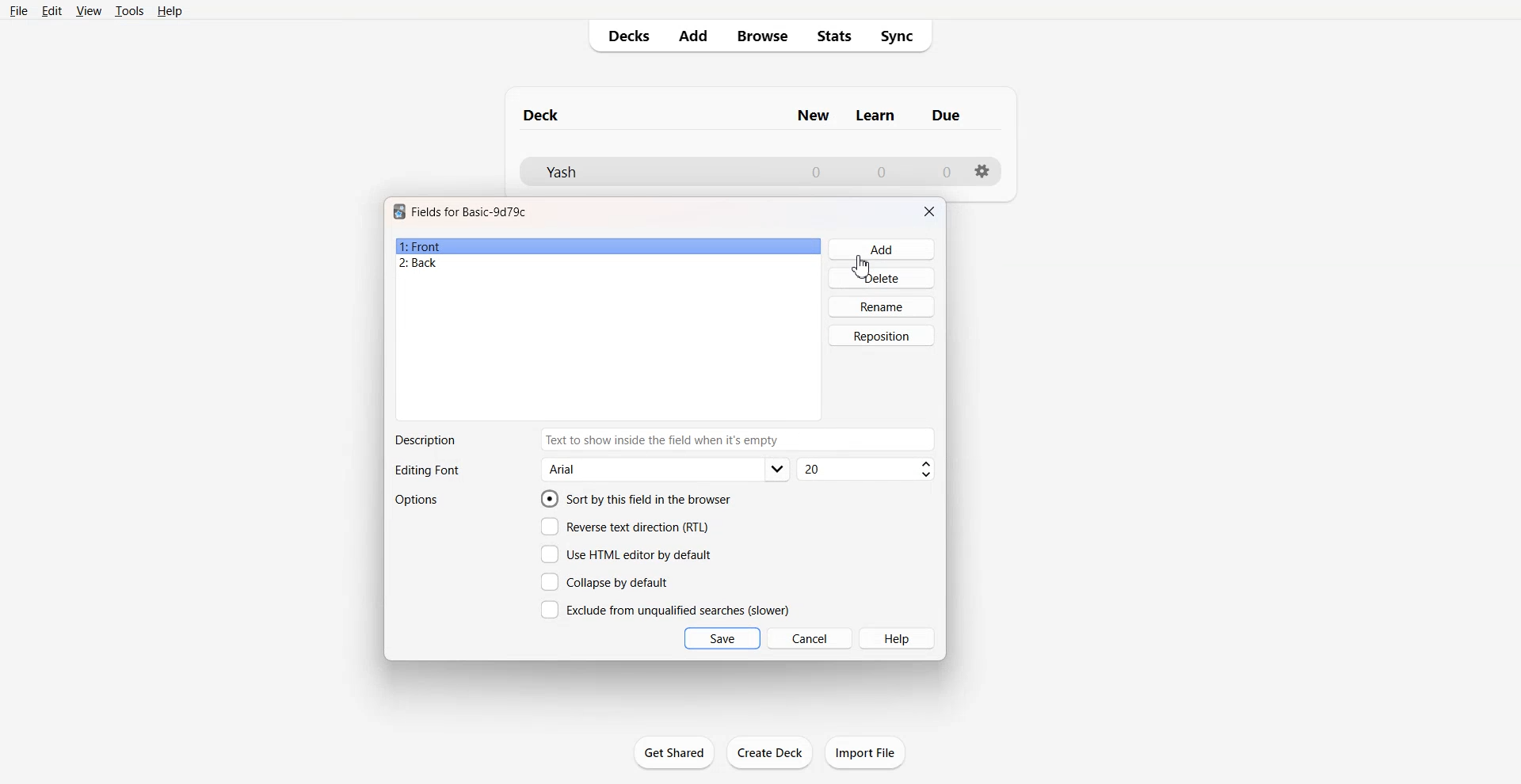 Image resolution: width=1521 pixels, height=784 pixels. I want to click on Add, so click(692, 36).